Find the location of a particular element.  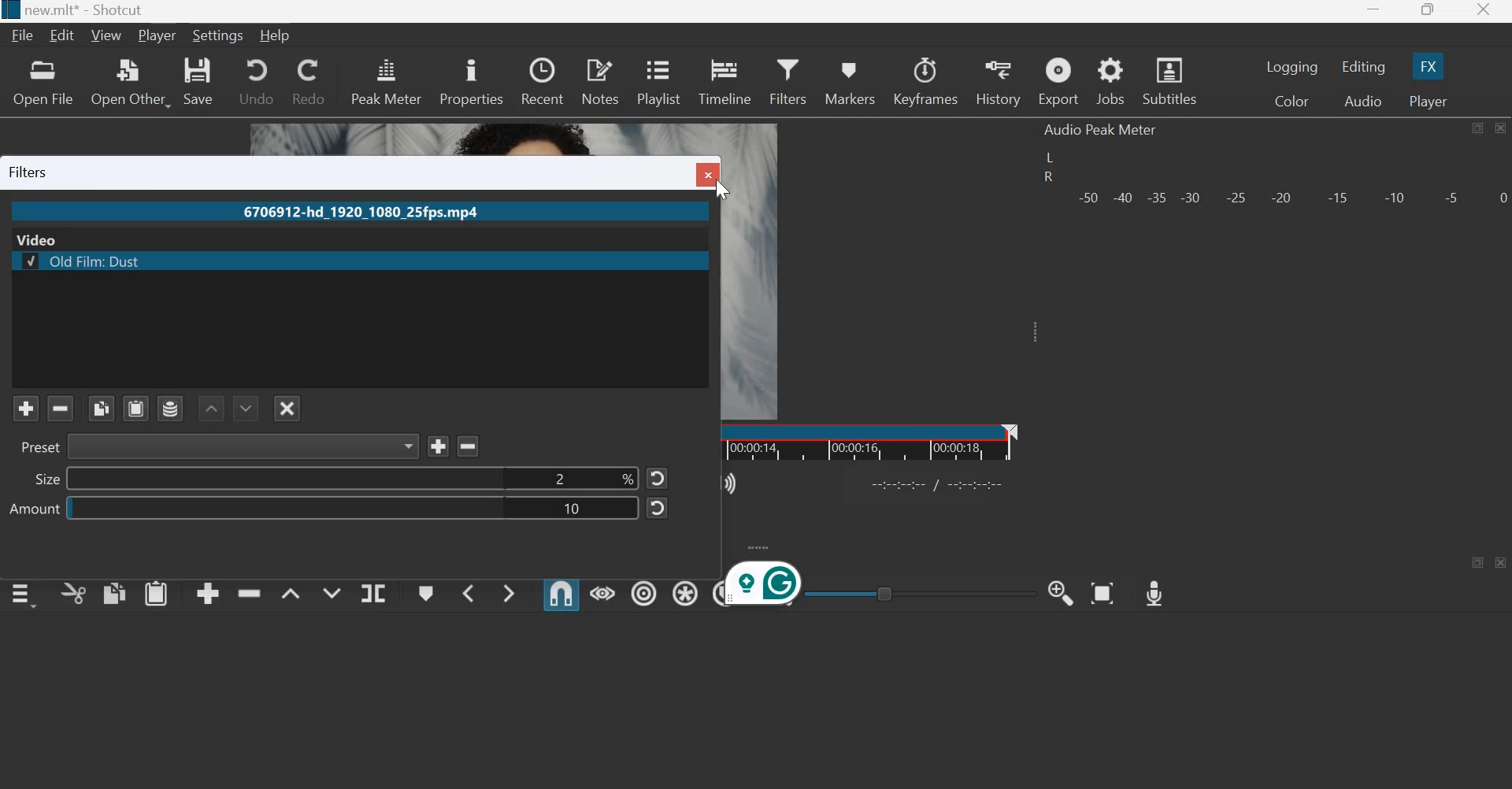

Scrub while dragging is located at coordinates (603, 593).